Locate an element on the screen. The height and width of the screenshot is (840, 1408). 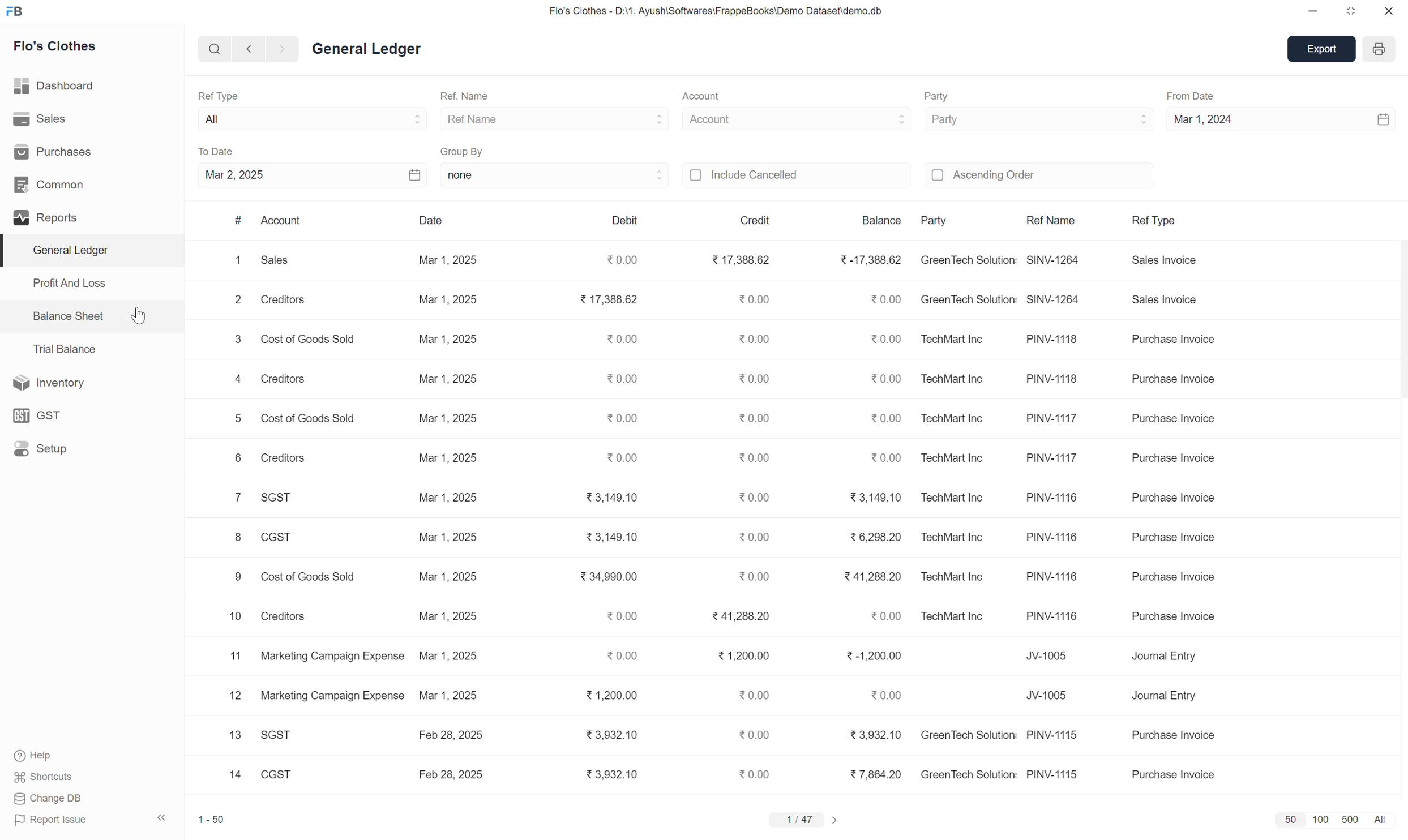
9 is located at coordinates (236, 577).